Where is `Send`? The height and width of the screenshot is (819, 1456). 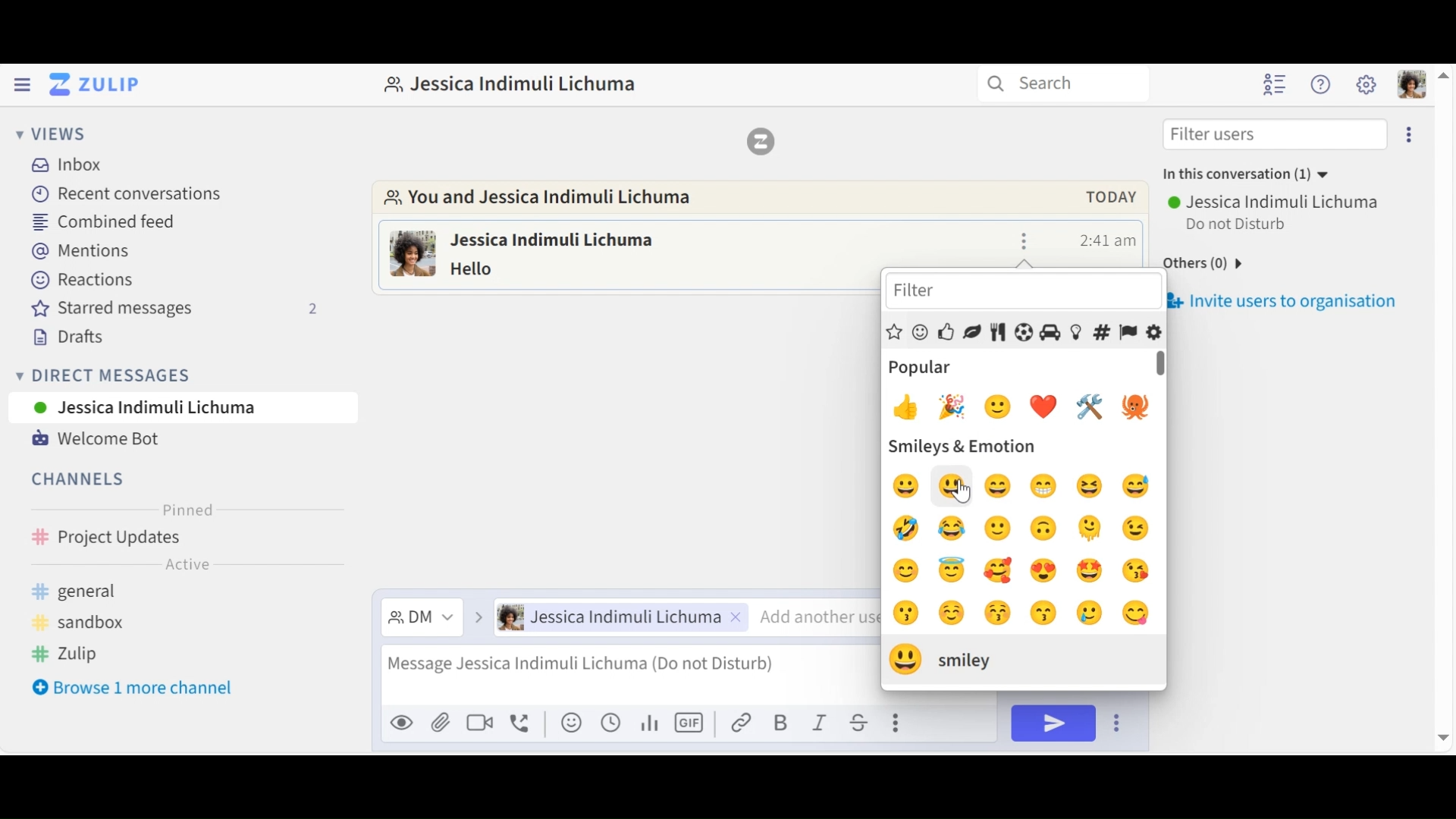
Send is located at coordinates (1053, 723).